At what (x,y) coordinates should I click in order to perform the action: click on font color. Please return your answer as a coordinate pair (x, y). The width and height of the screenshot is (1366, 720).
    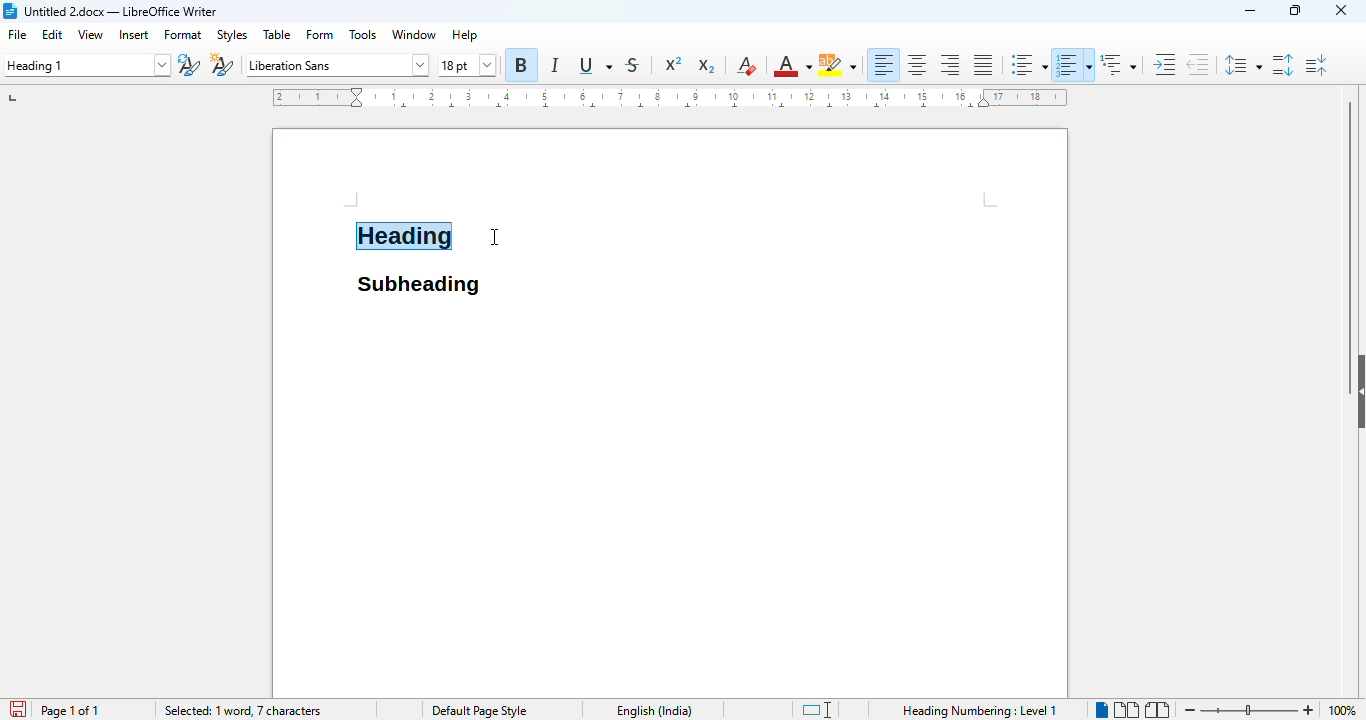
    Looking at the image, I should click on (791, 66).